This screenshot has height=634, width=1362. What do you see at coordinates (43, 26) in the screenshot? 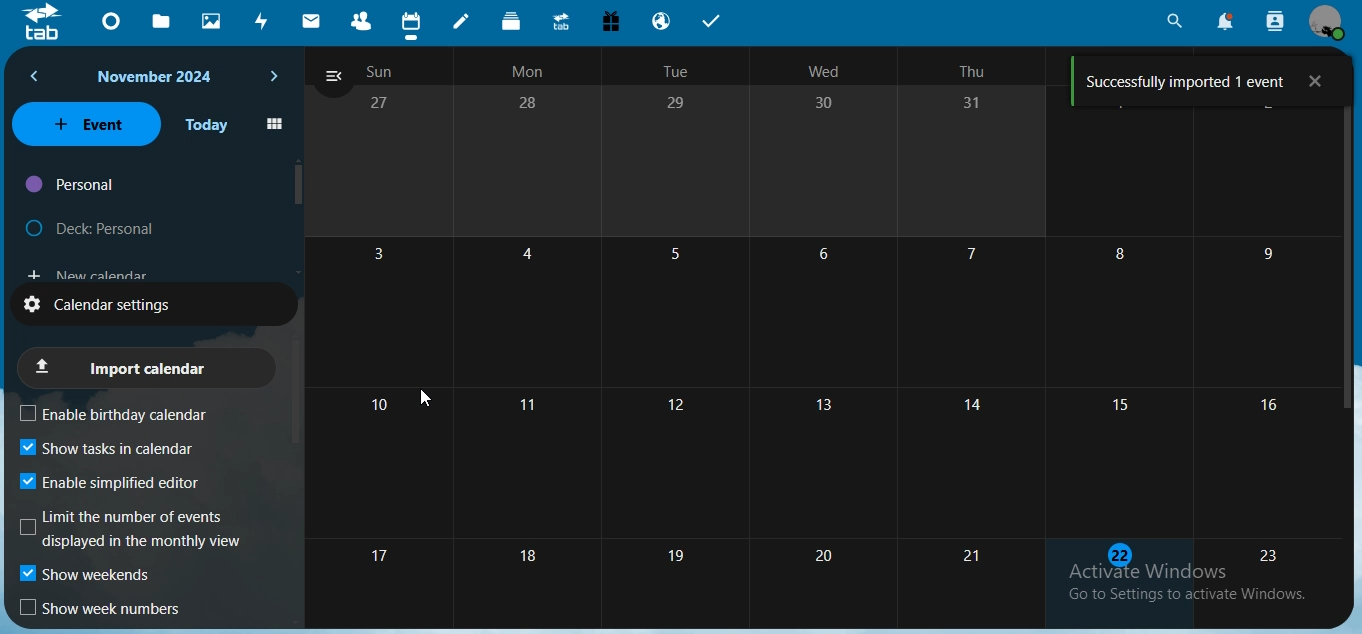
I see `icon` at bounding box center [43, 26].